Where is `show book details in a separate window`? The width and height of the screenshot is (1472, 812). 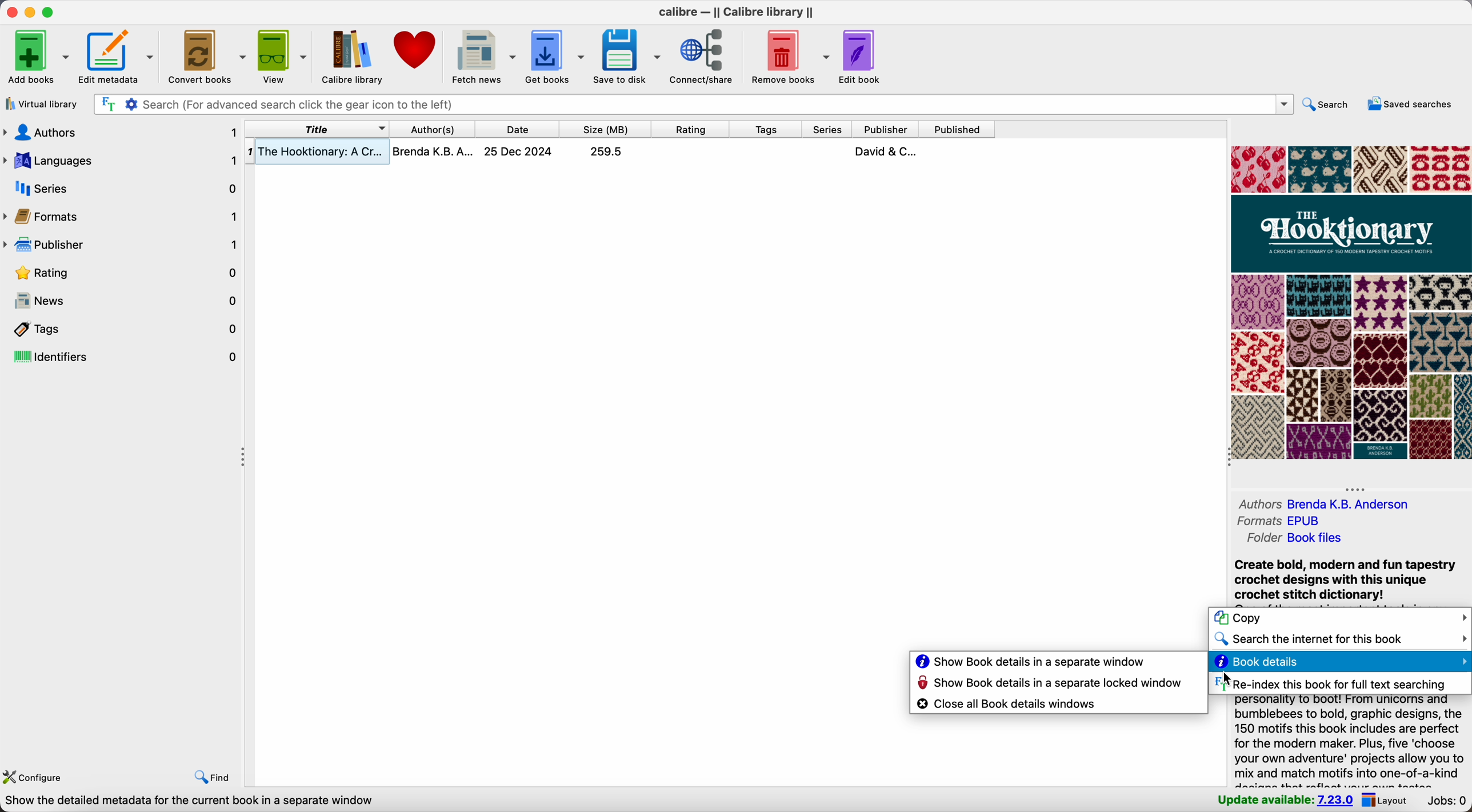 show book details in a separate window is located at coordinates (1030, 662).